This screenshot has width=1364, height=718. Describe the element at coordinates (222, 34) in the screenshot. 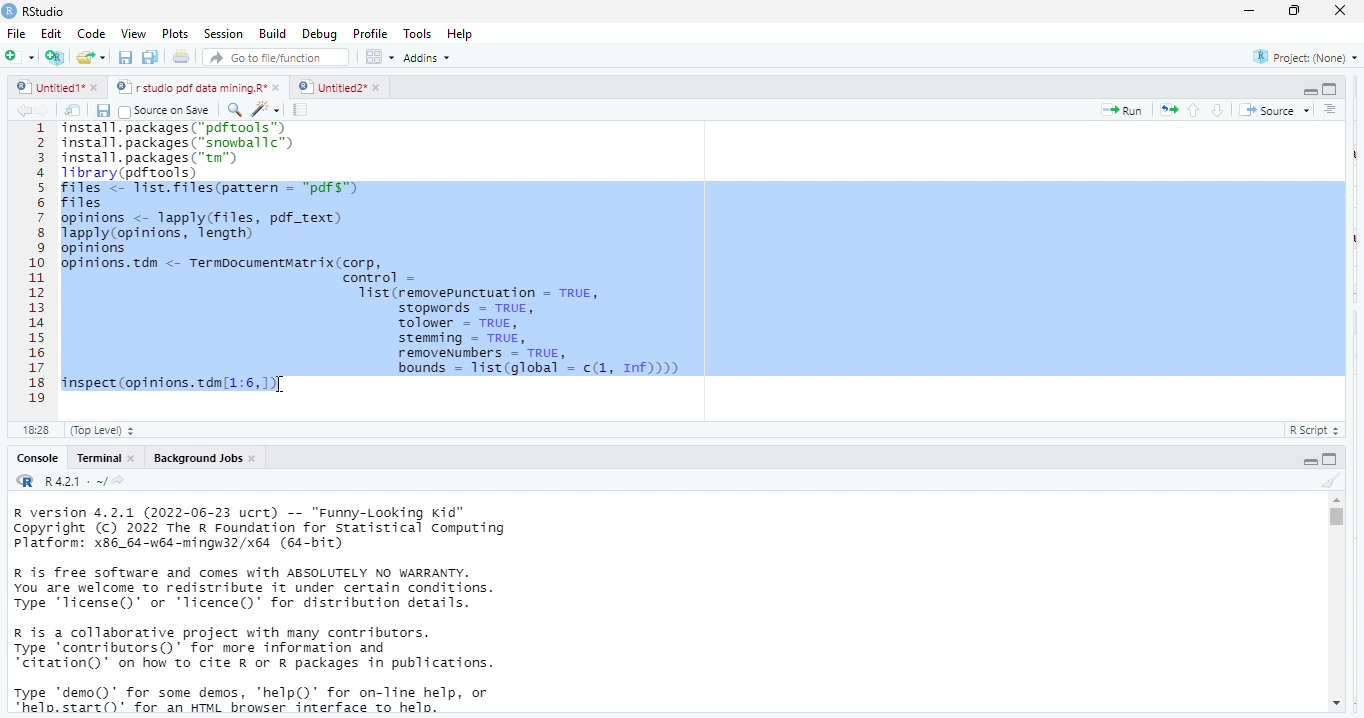

I see `session` at that location.